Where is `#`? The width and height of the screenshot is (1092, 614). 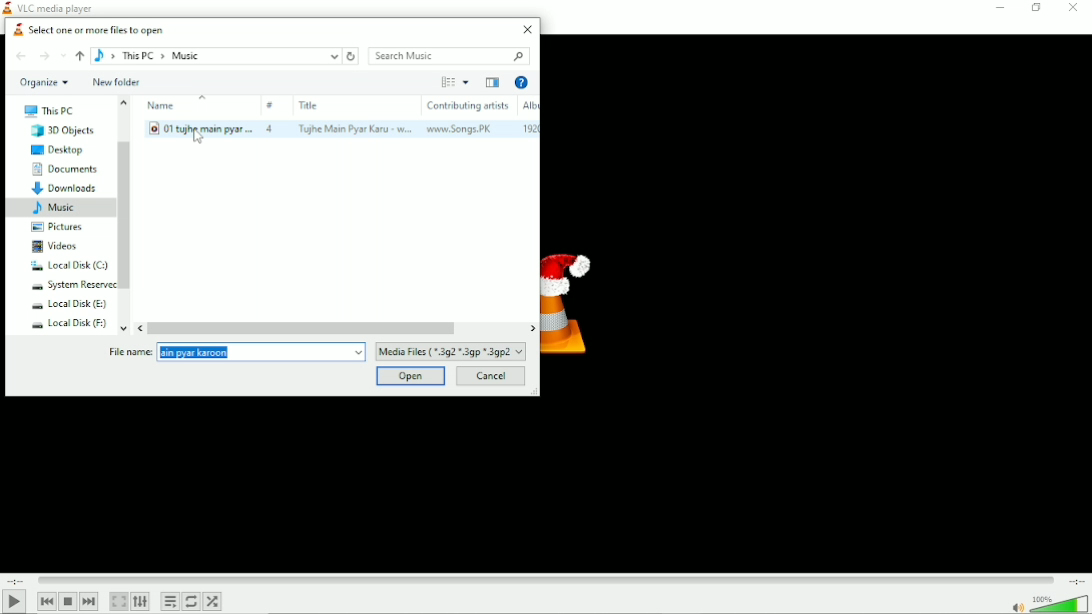 # is located at coordinates (272, 117).